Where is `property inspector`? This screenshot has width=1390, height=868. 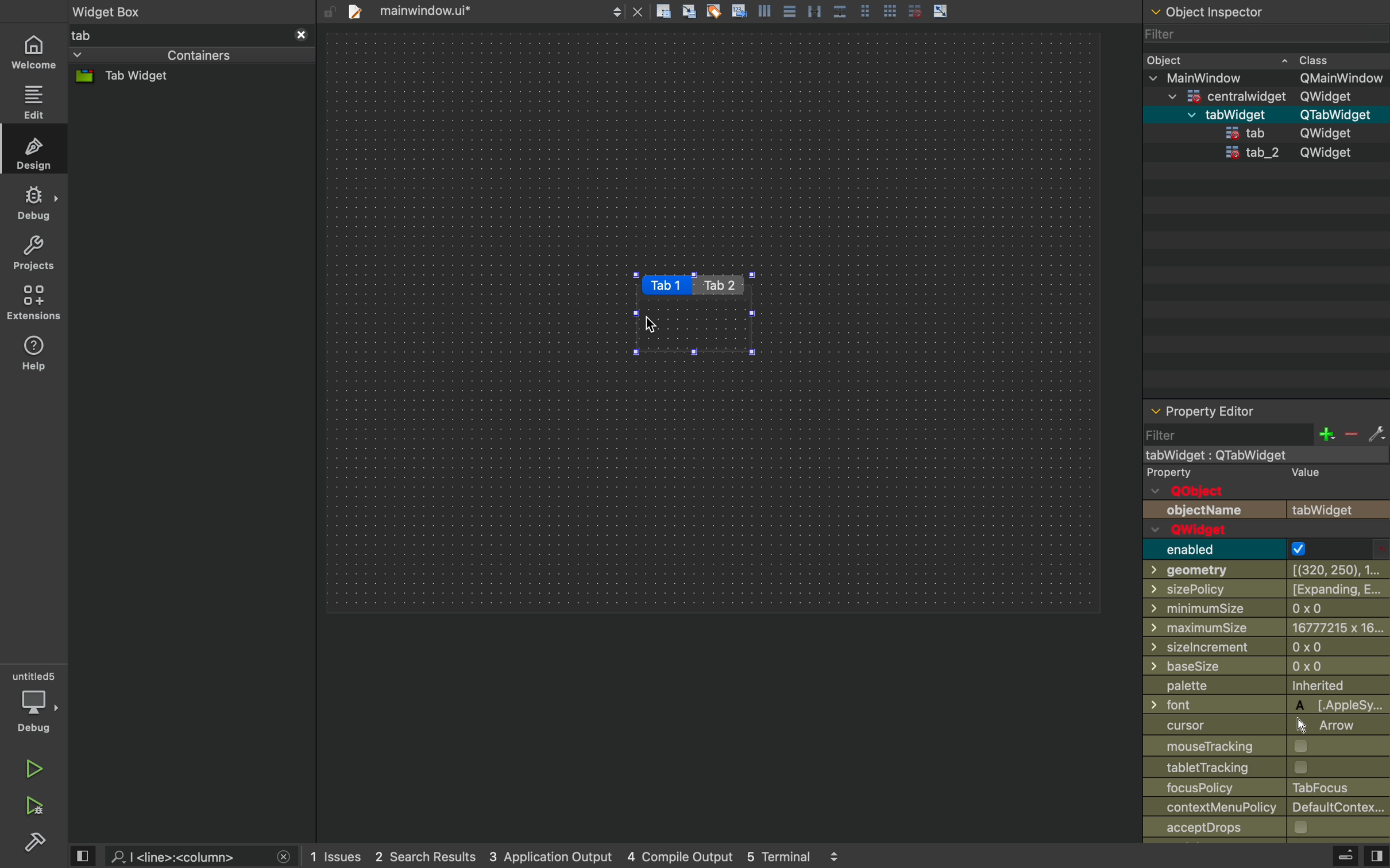 property inspector is located at coordinates (1266, 410).